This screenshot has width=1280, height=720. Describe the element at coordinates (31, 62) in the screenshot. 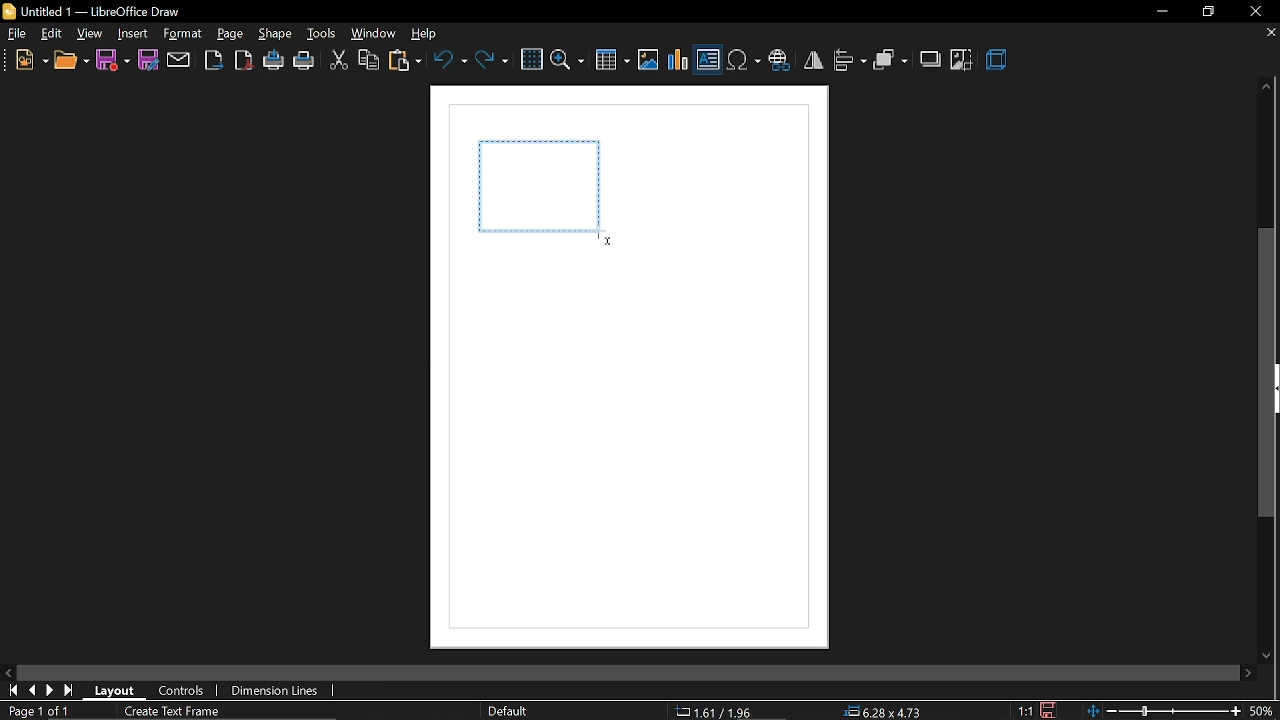

I see `new` at that location.